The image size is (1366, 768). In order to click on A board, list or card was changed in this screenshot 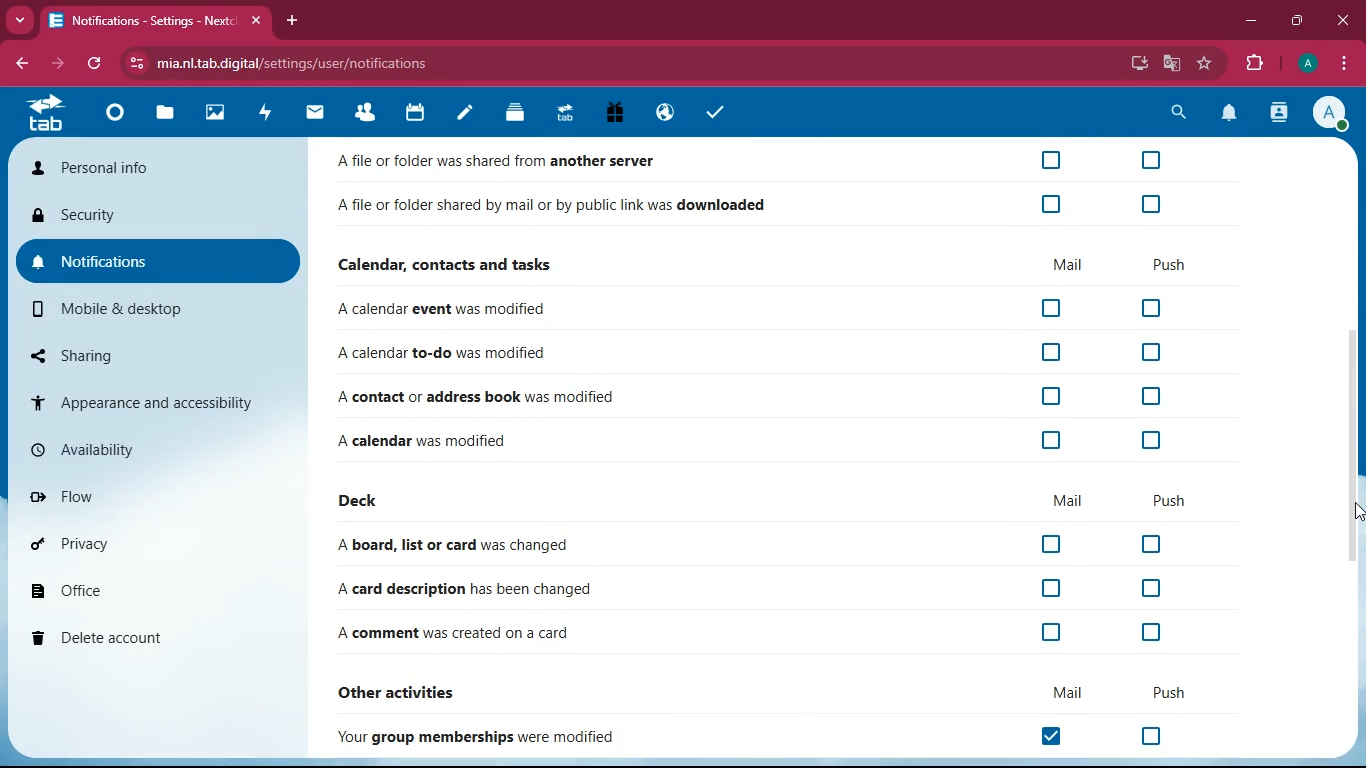, I will do `click(460, 546)`.